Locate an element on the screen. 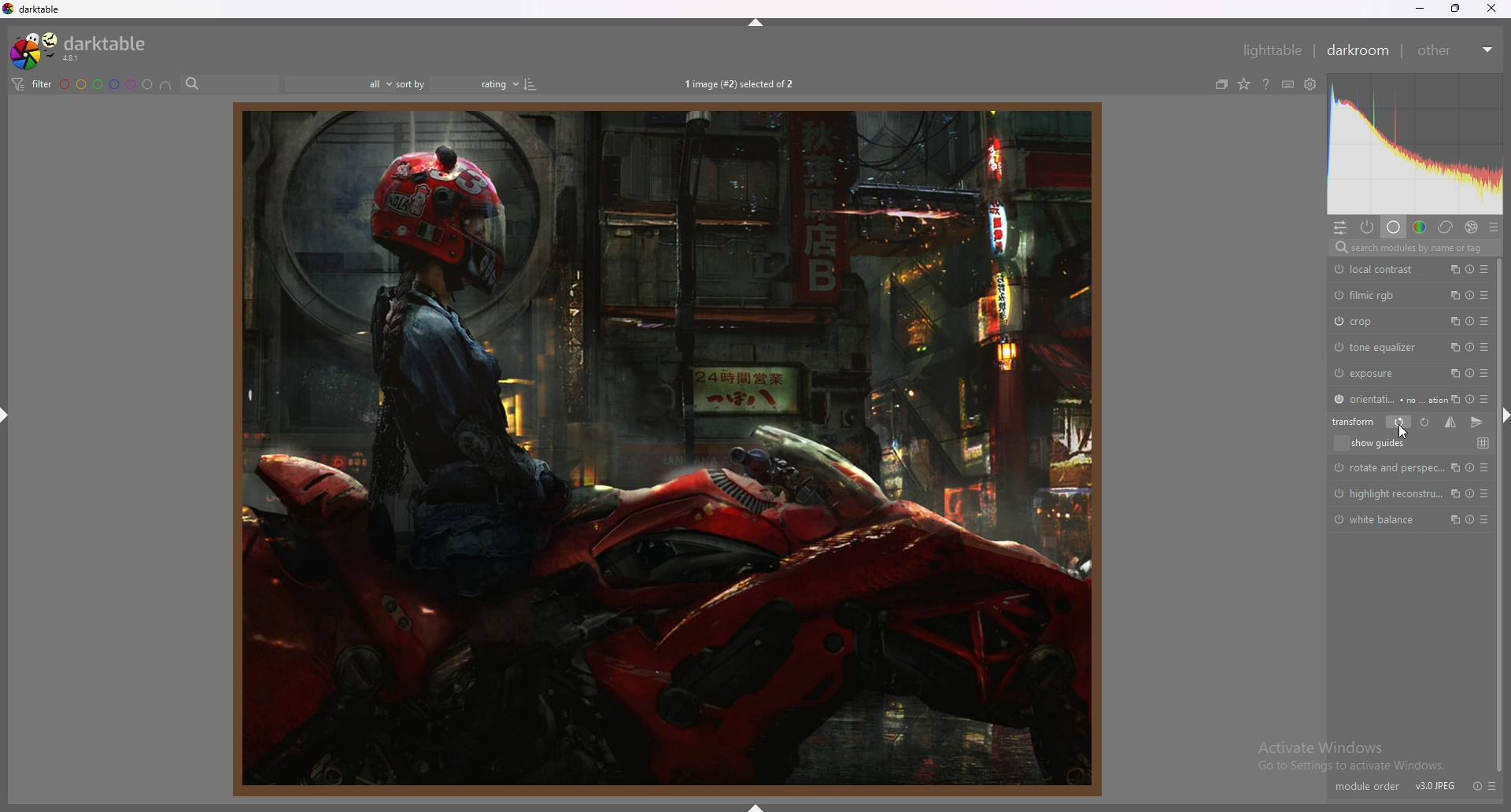 This screenshot has width=1511, height=812.  is located at coordinates (1487, 466).